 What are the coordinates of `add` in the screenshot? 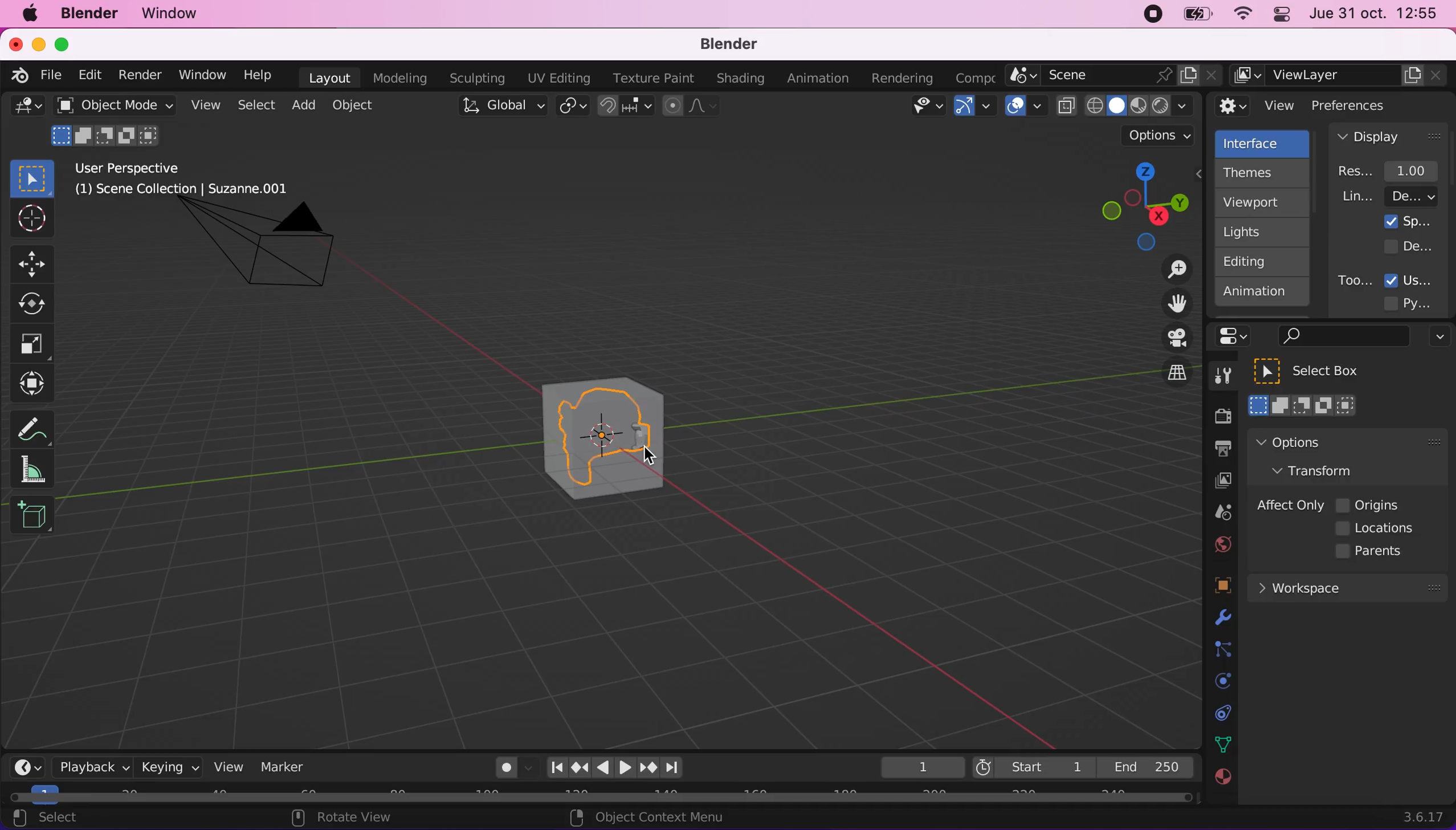 It's located at (301, 105).